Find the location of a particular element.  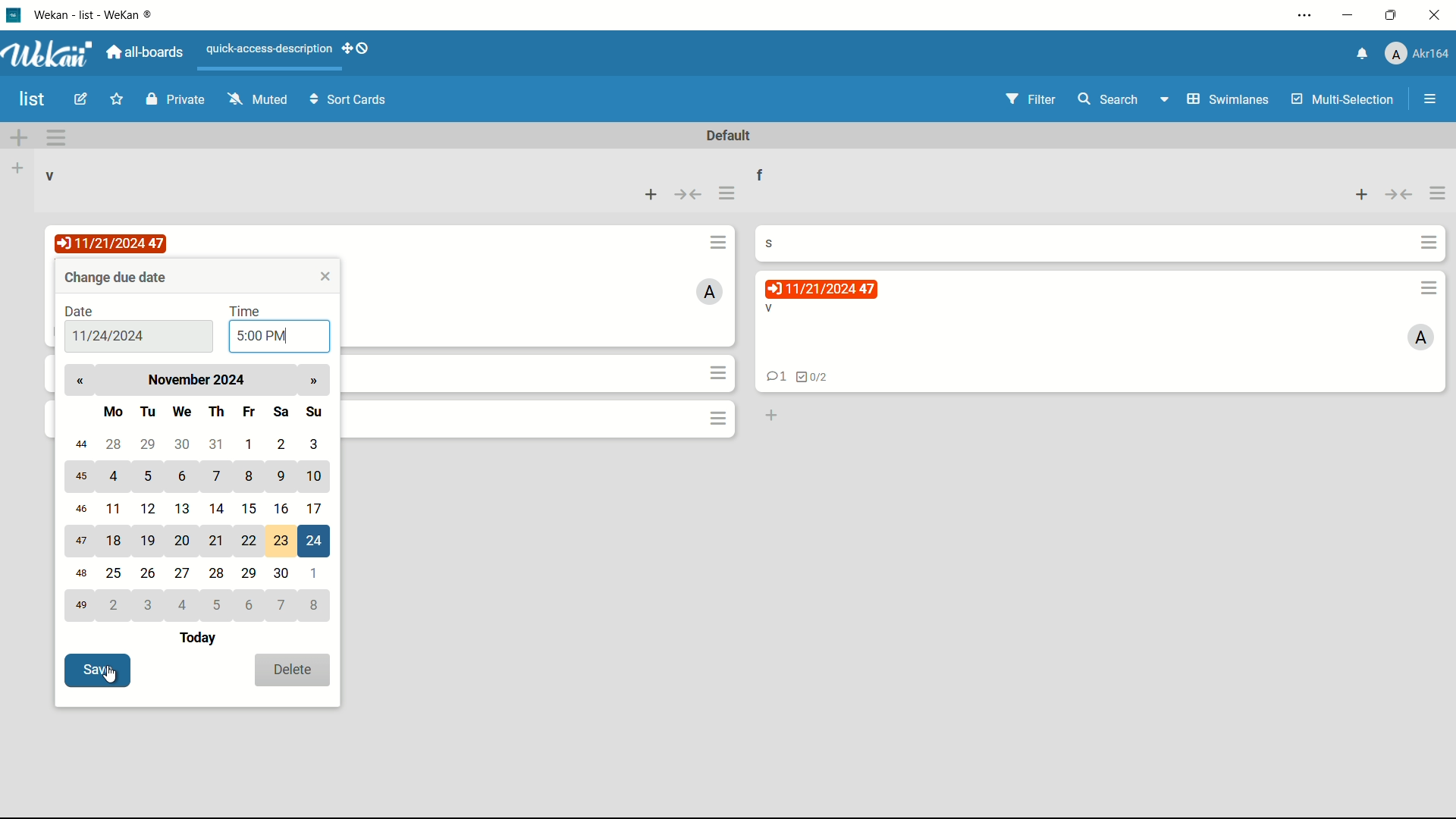

list actions is located at coordinates (727, 194).